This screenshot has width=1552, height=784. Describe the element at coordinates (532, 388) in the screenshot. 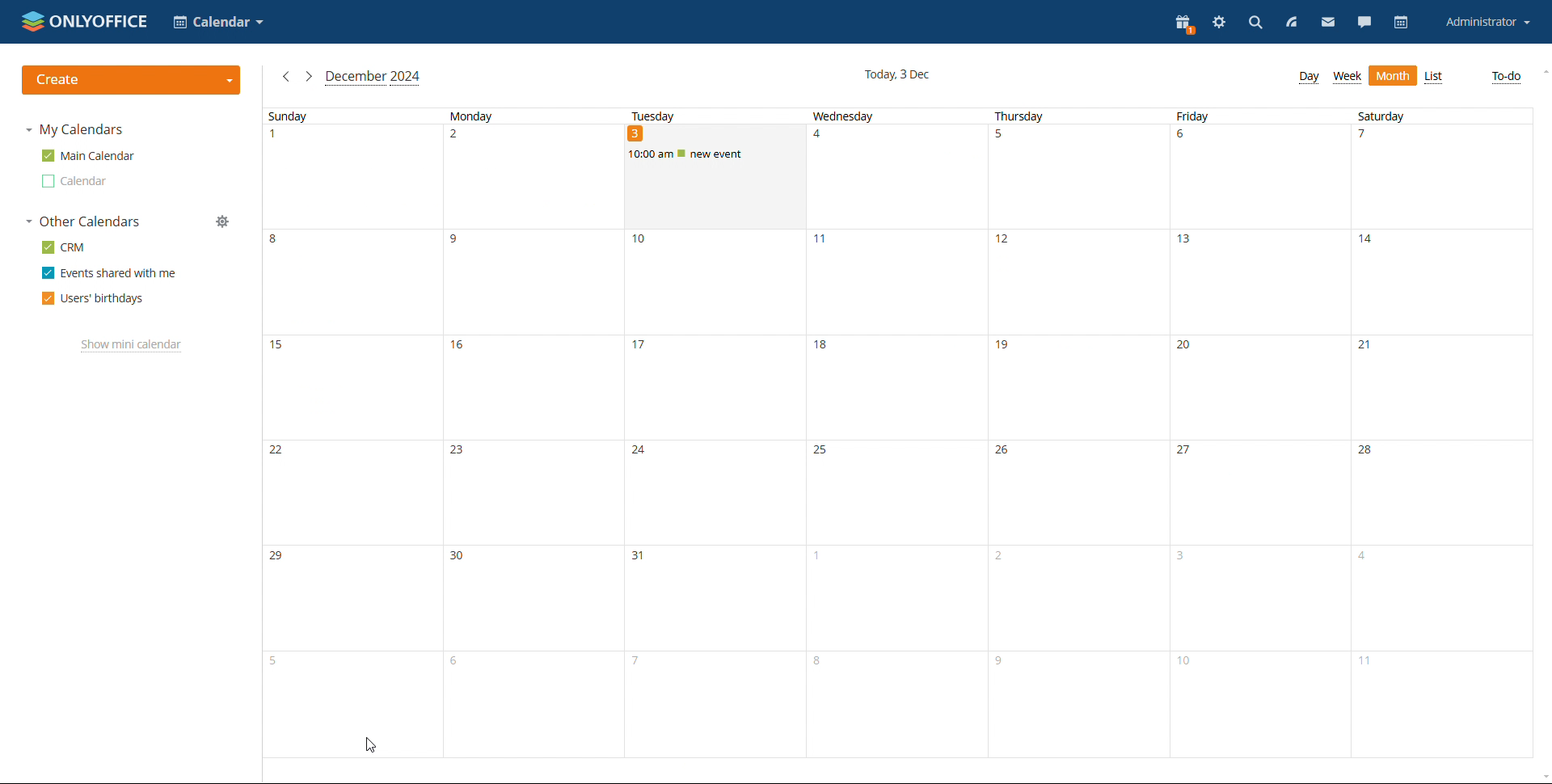

I see `16` at that location.